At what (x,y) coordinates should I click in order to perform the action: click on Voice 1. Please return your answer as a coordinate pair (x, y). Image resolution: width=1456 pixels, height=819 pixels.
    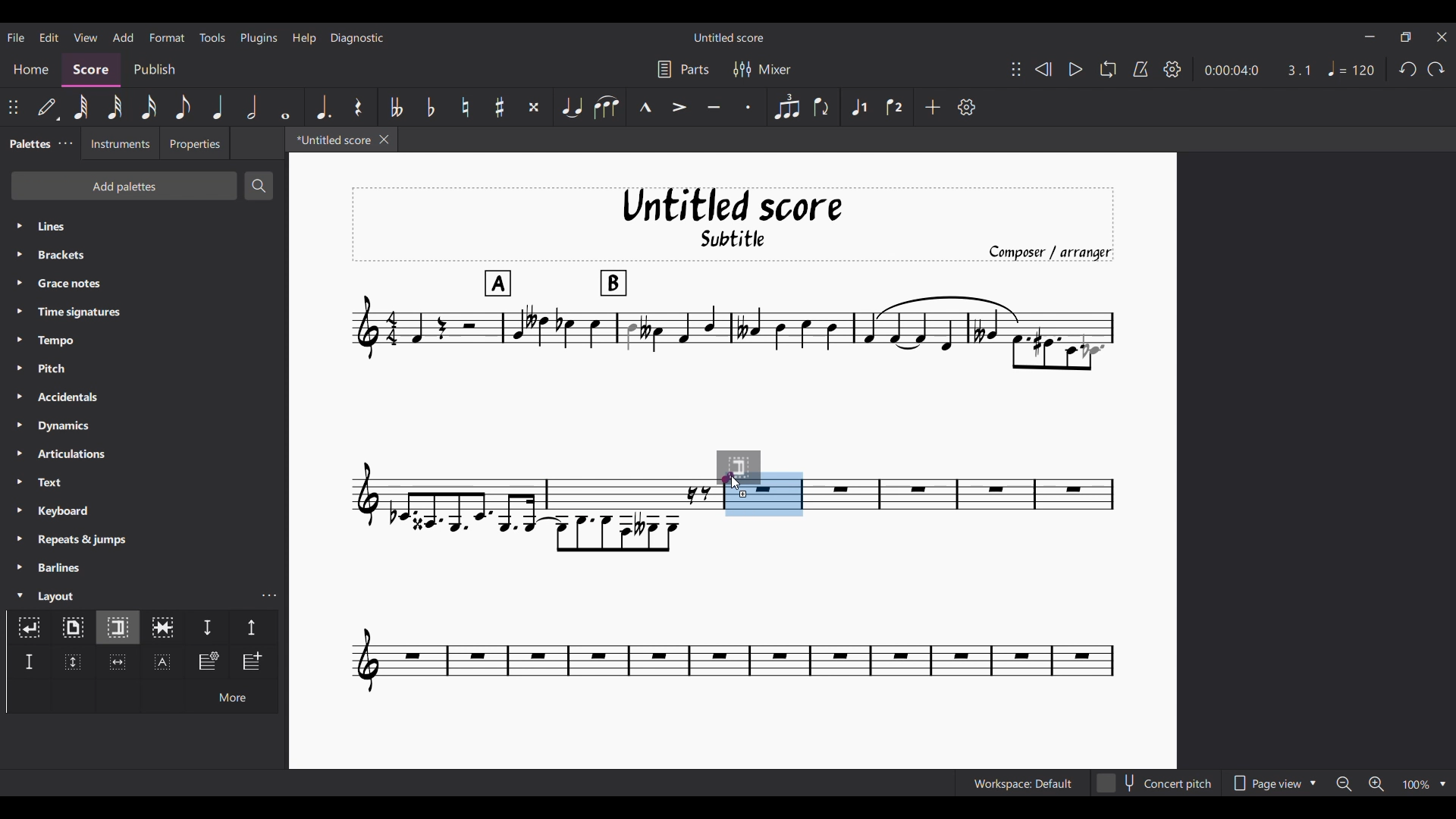
    Looking at the image, I should click on (858, 107).